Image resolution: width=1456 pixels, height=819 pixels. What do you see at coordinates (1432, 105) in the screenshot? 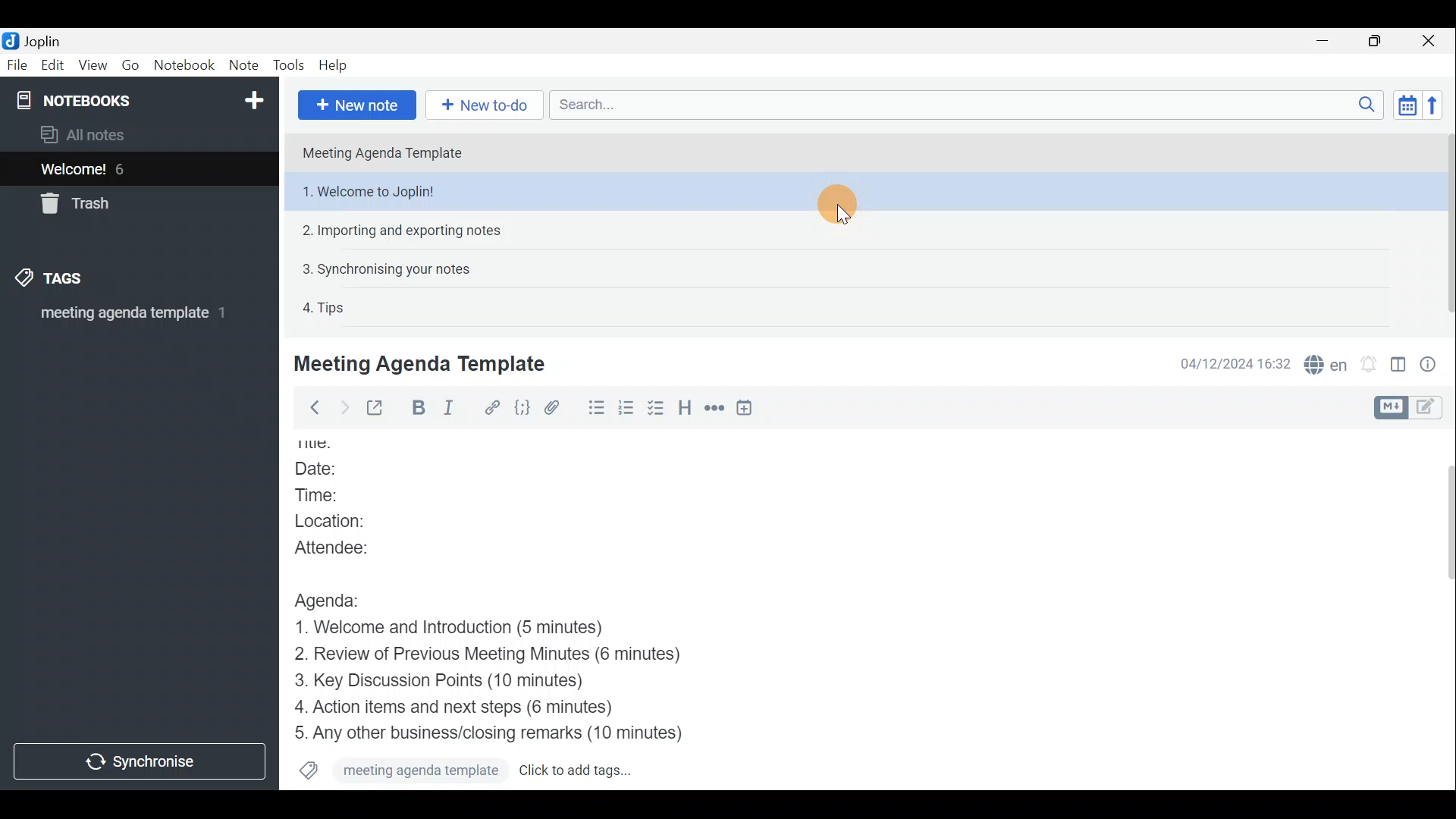
I see `Reverse sort order` at bounding box center [1432, 105].